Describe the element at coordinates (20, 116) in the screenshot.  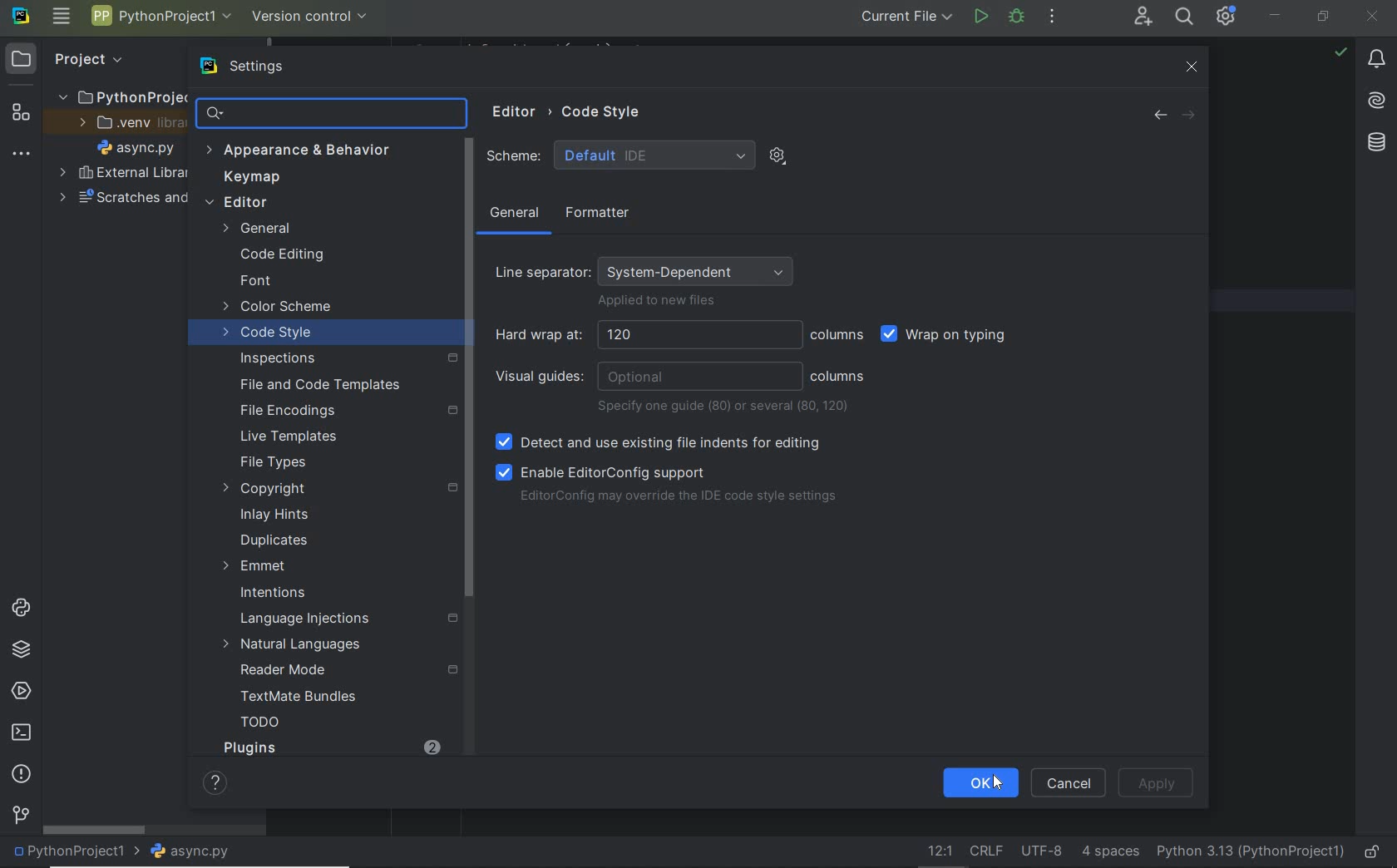
I see `structure` at that location.